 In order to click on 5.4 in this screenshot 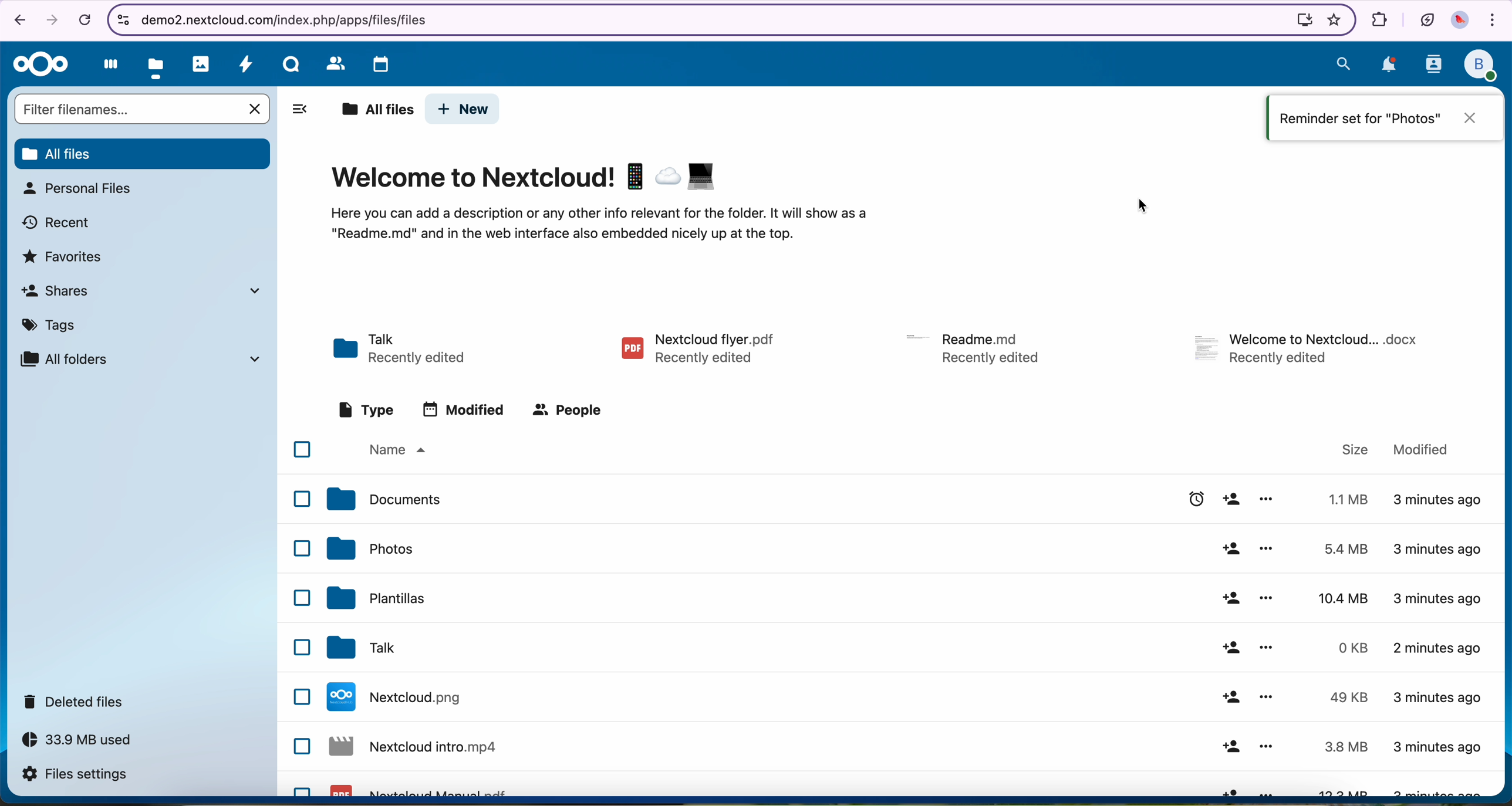, I will do `click(1351, 548)`.